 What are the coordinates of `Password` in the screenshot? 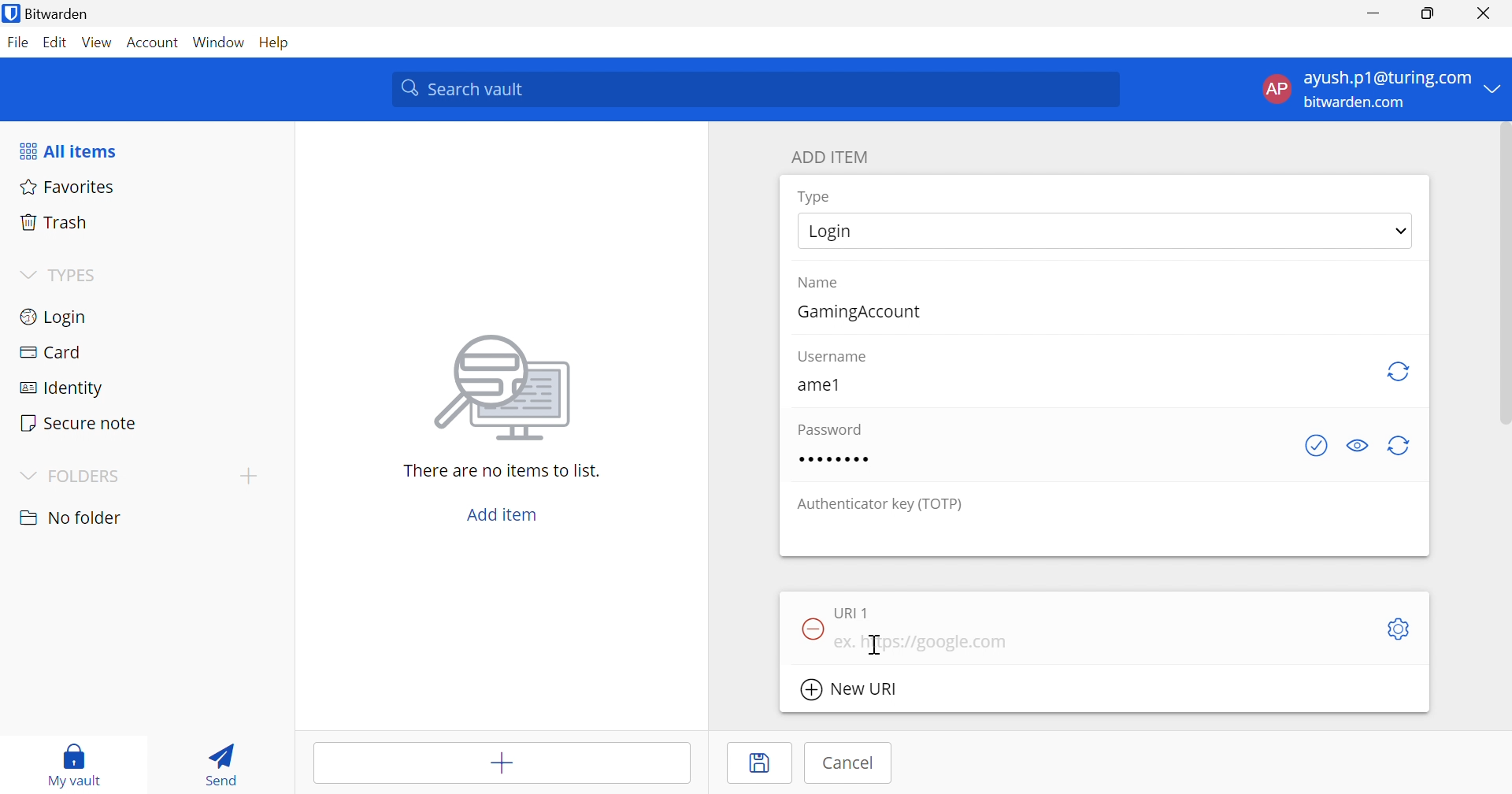 It's located at (828, 431).